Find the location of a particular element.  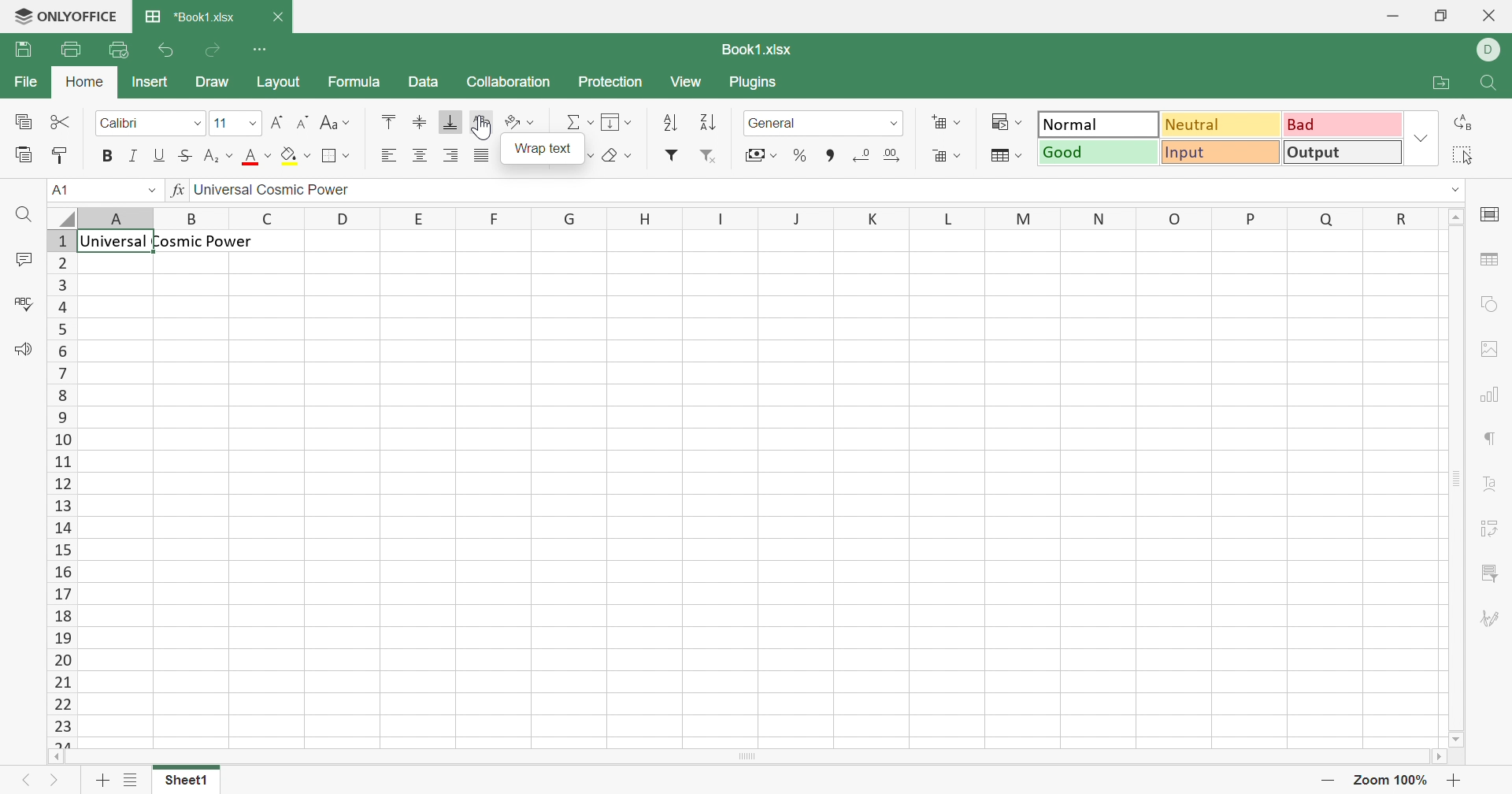

Zoom 100% is located at coordinates (1394, 782).